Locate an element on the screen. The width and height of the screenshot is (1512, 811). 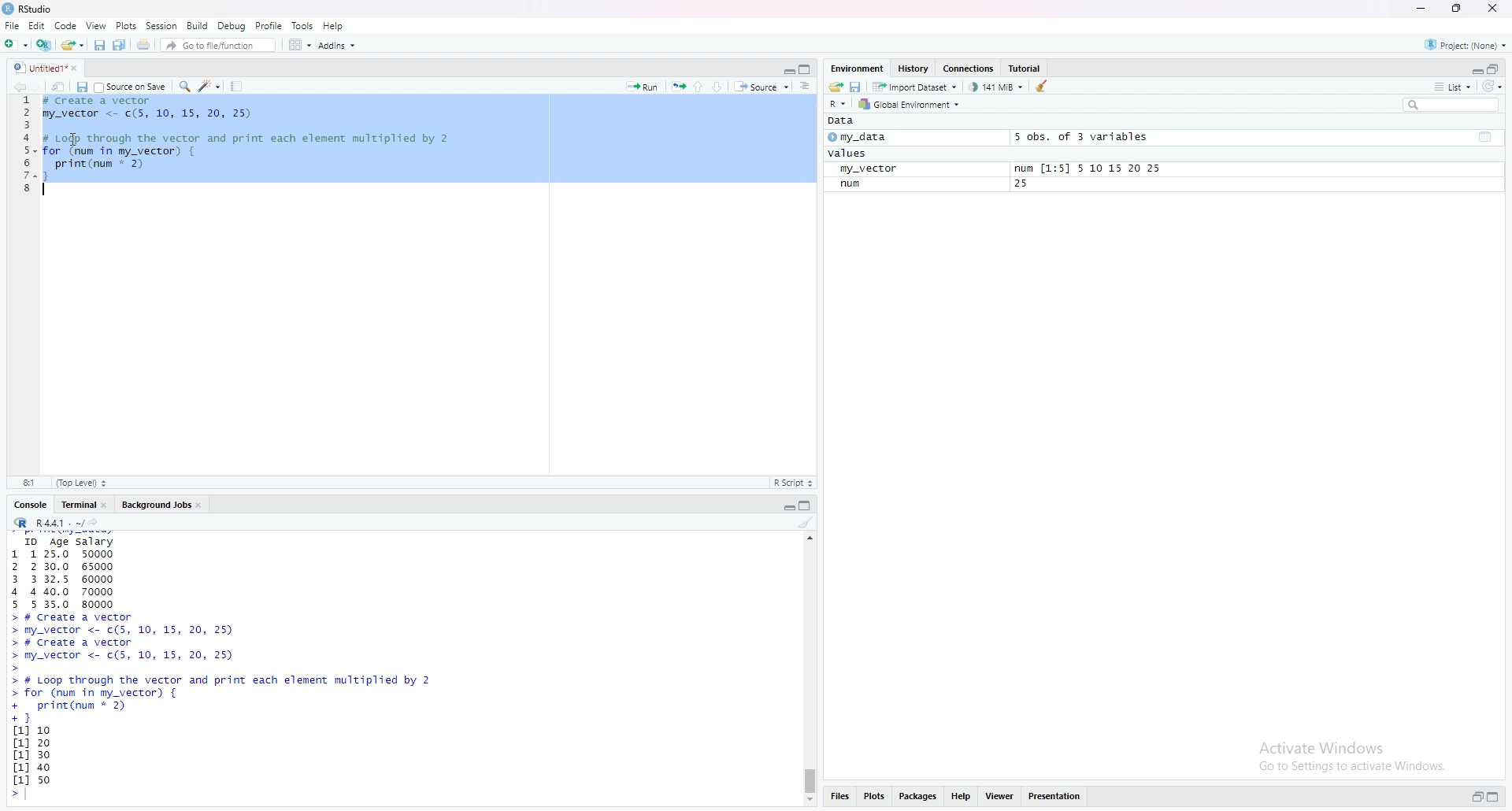
expand is located at coordinates (1475, 69).